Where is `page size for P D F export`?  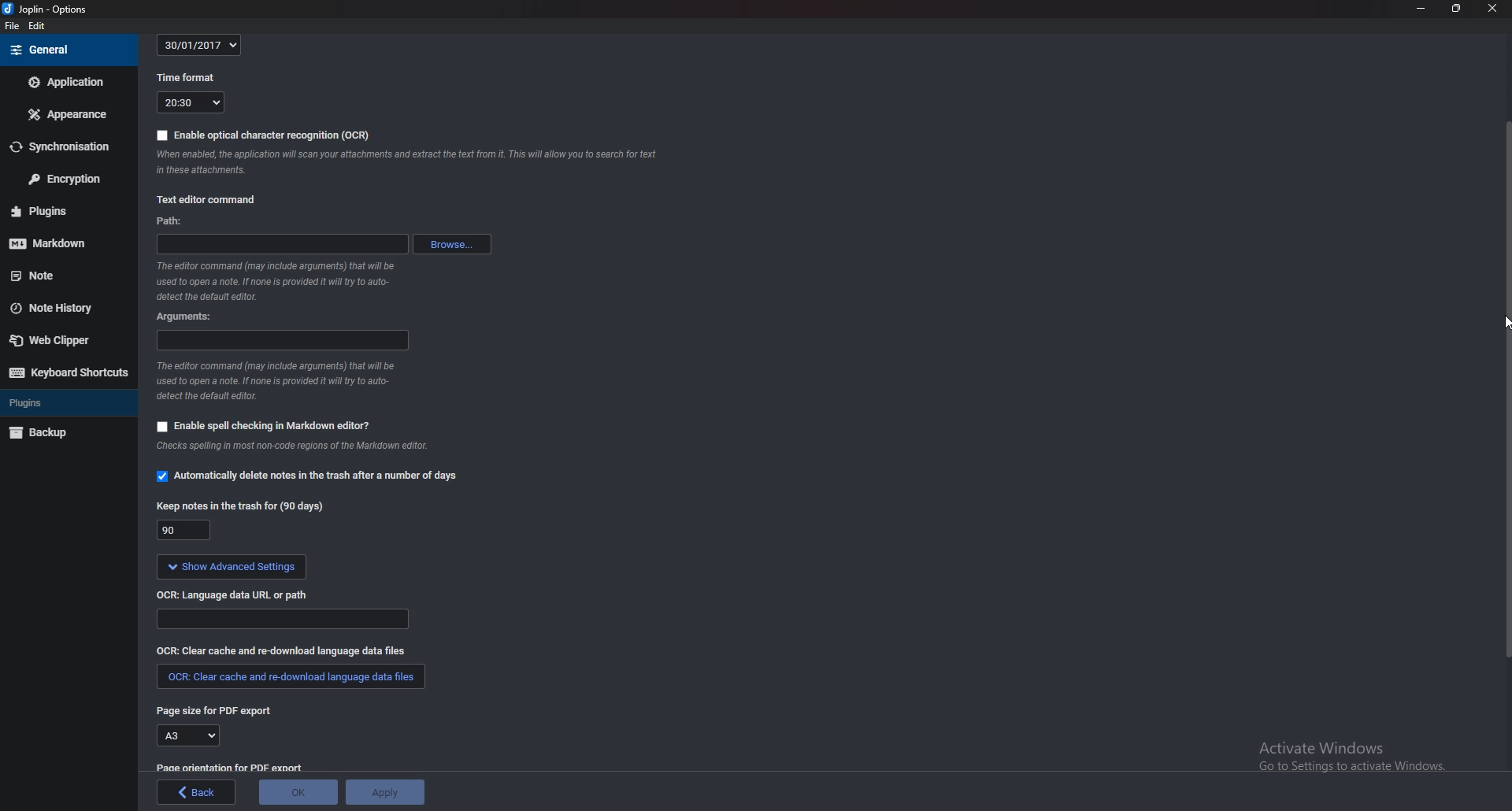
page size for P D F export is located at coordinates (215, 710).